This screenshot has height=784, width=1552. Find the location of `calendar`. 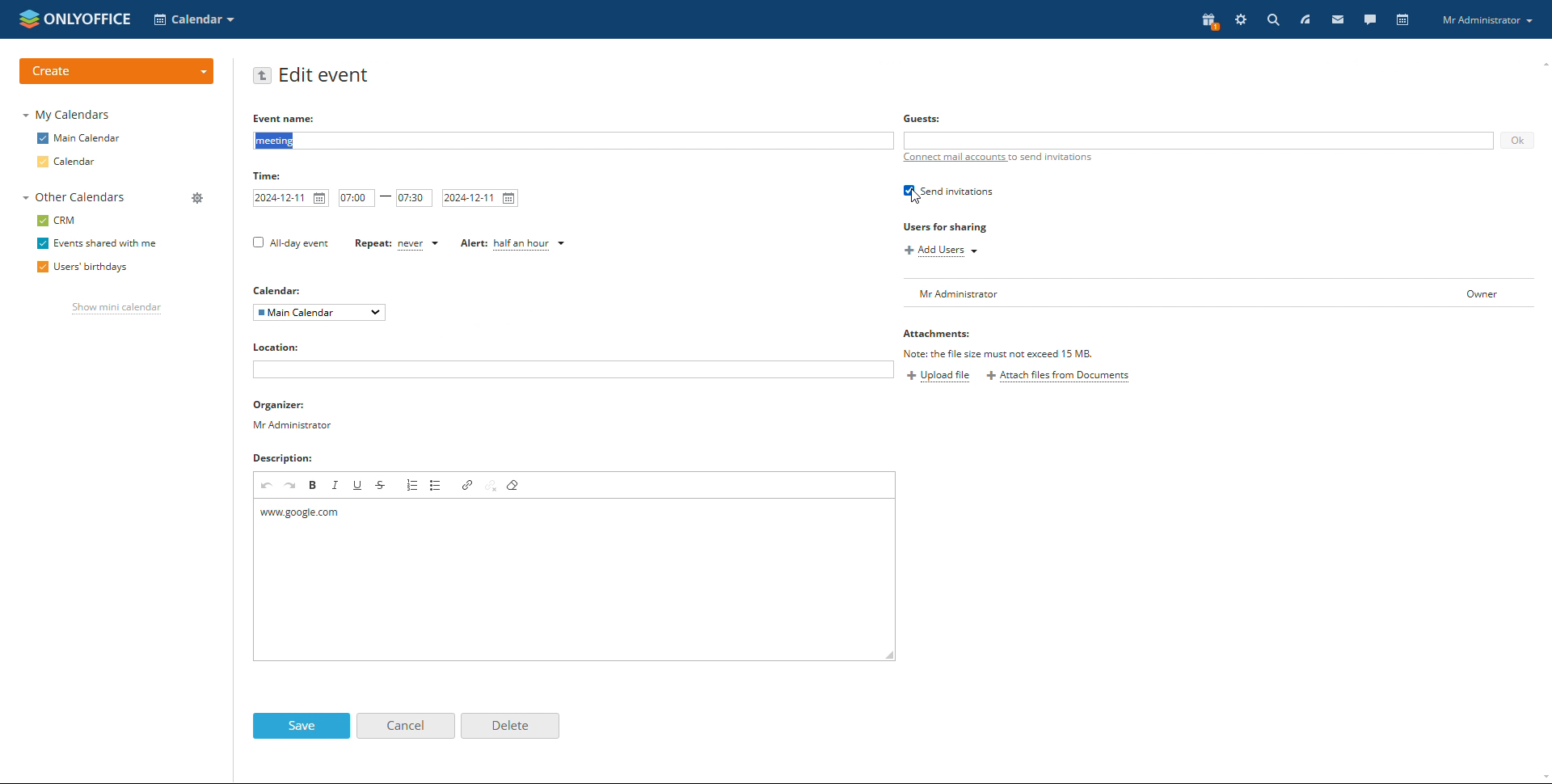

calendar is located at coordinates (1404, 20).